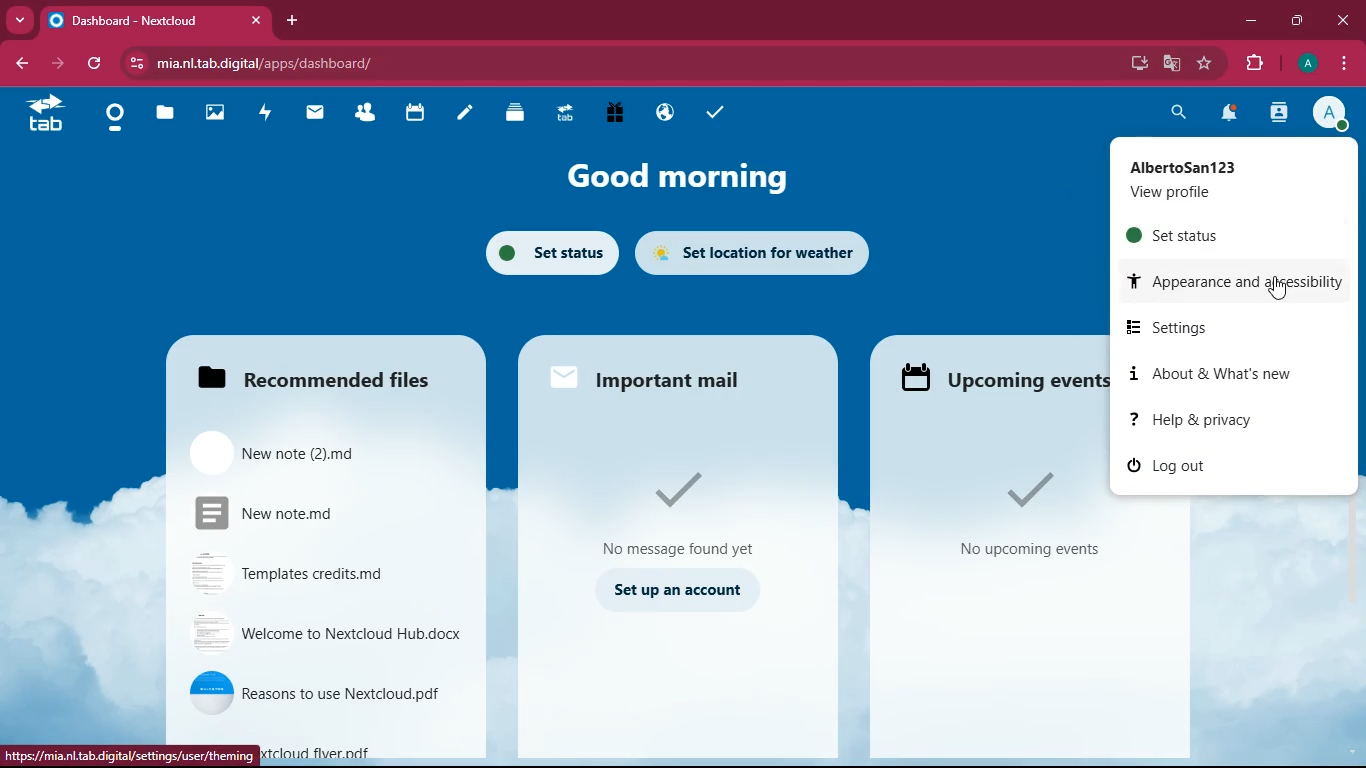  Describe the element at coordinates (680, 590) in the screenshot. I see `set up` at that location.